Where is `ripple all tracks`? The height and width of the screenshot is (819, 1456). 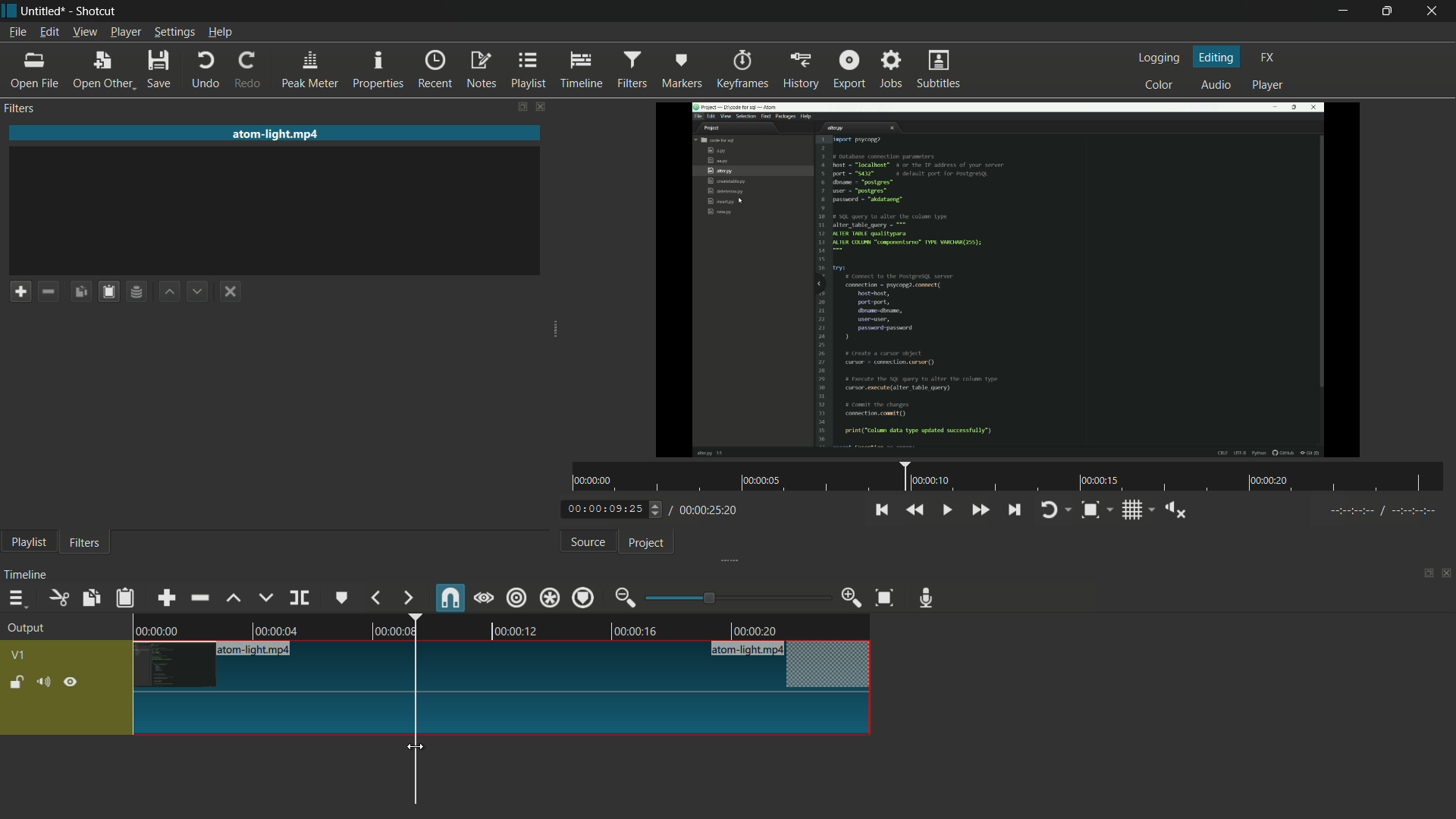
ripple all tracks is located at coordinates (549, 597).